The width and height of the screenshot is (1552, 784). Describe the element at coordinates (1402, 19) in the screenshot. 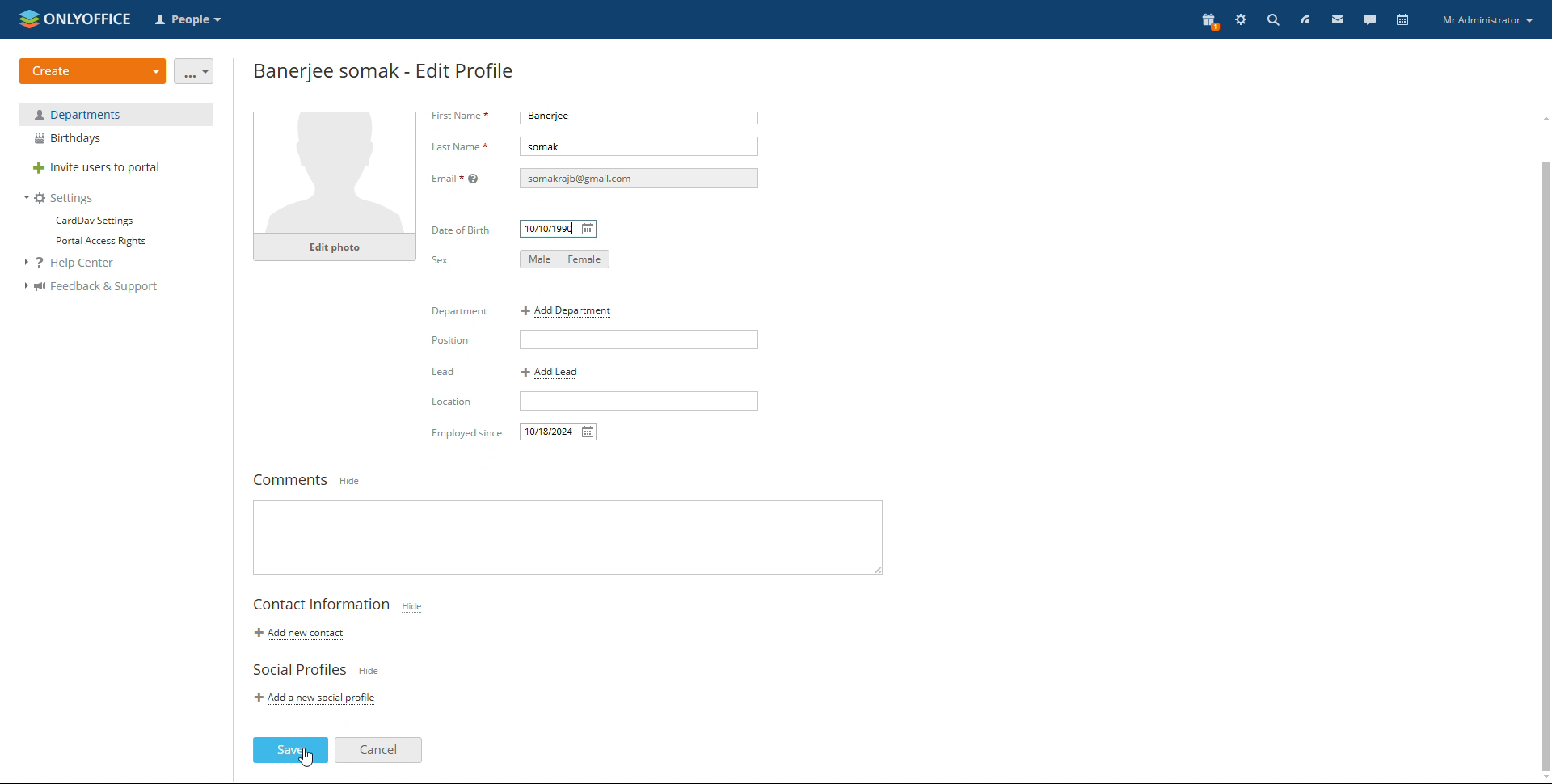

I see `calendar` at that location.